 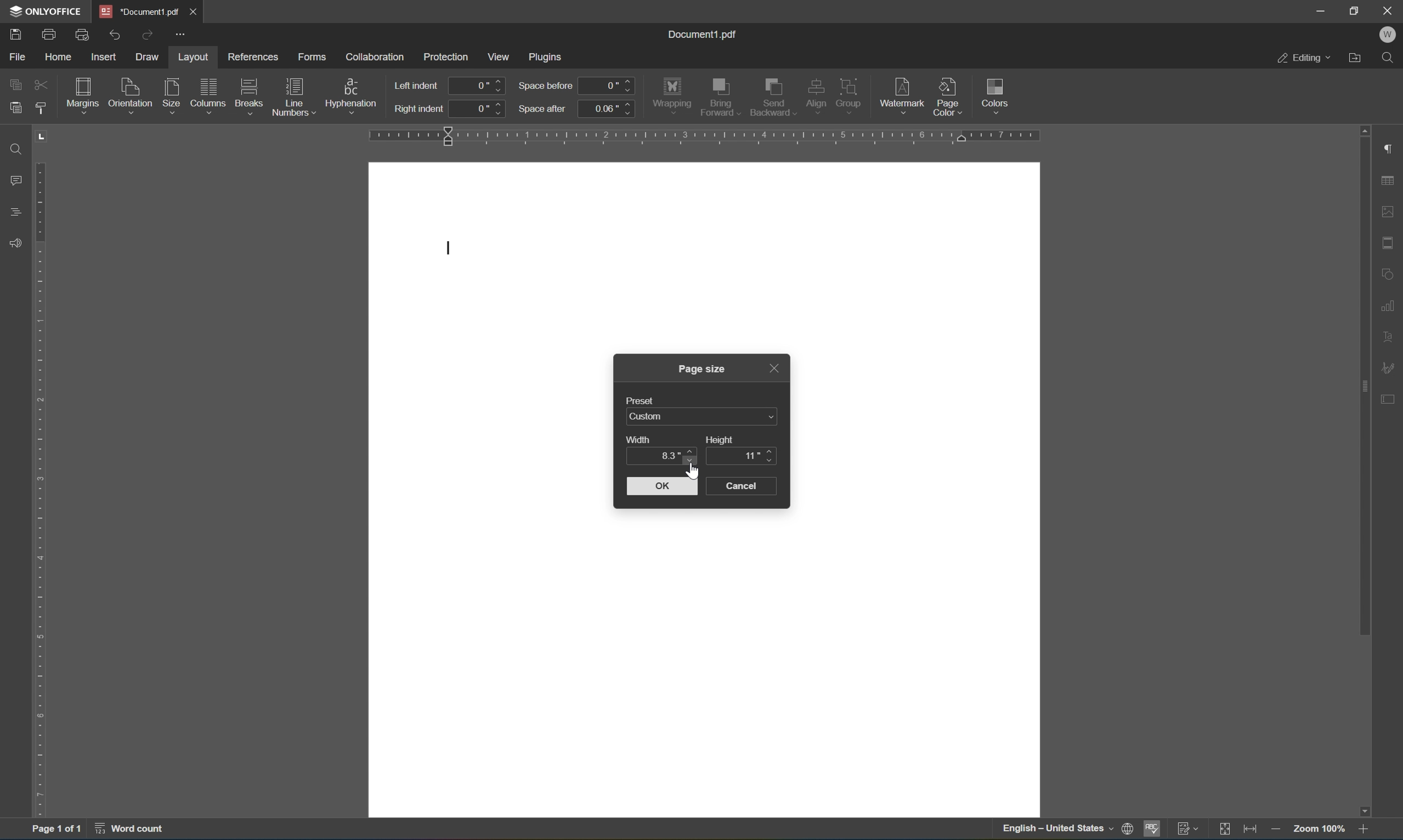 What do you see at coordinates (675, 457) in the screenshot?
I see `8.5 inches with active cursor` at bounding box center [675, 457].